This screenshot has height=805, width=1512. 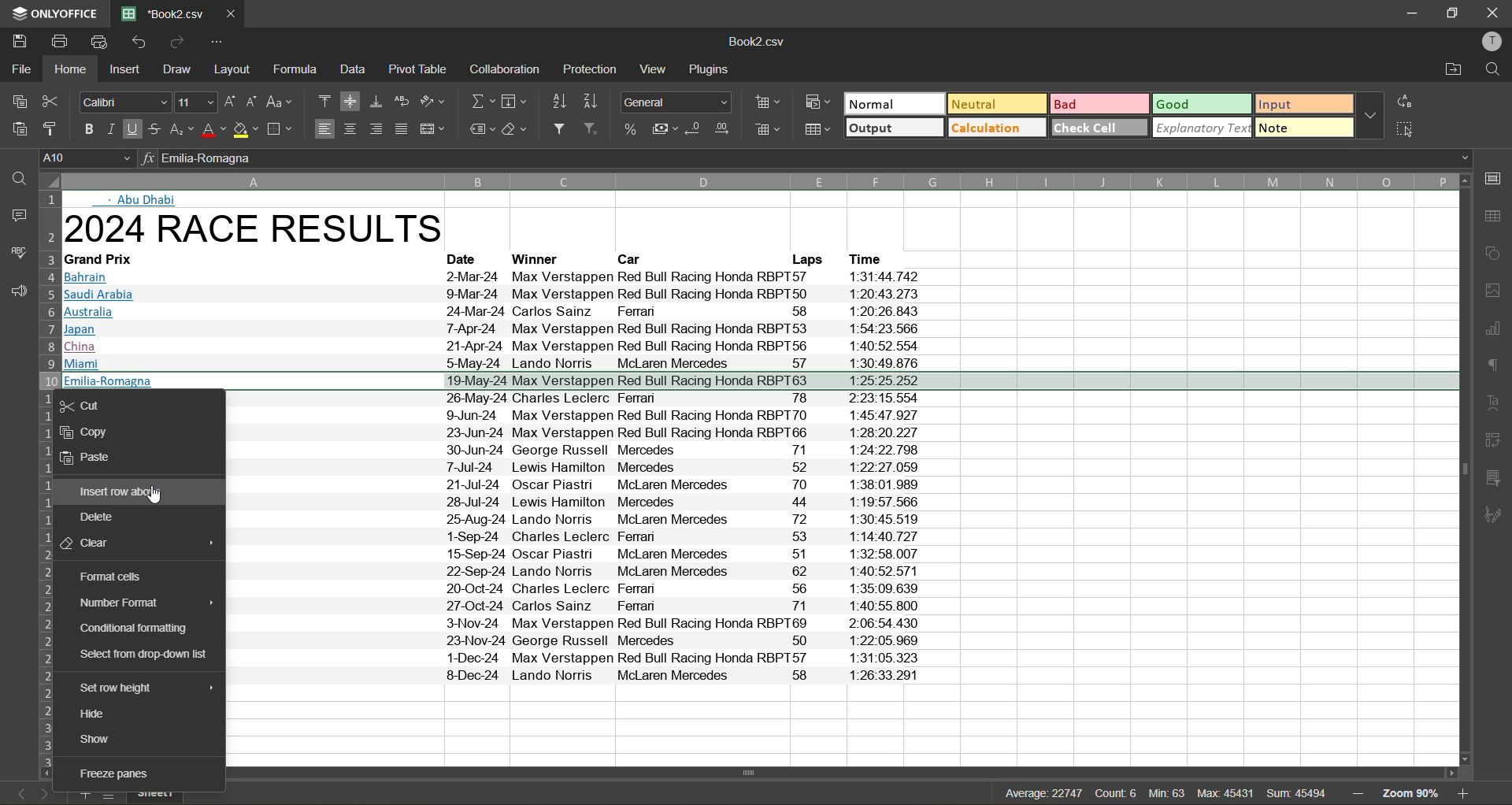 I want to click on sort descending, so click(x=591, y=101).